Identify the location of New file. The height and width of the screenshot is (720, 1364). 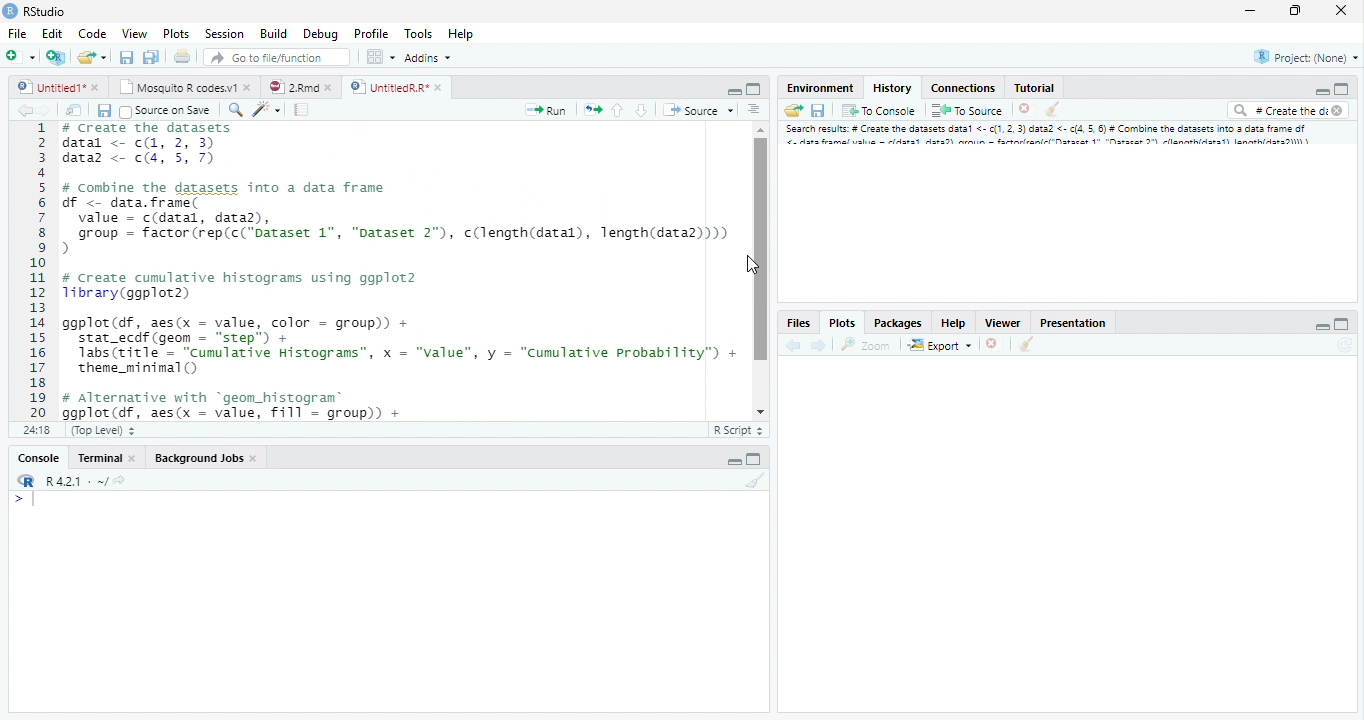
(20, 55).